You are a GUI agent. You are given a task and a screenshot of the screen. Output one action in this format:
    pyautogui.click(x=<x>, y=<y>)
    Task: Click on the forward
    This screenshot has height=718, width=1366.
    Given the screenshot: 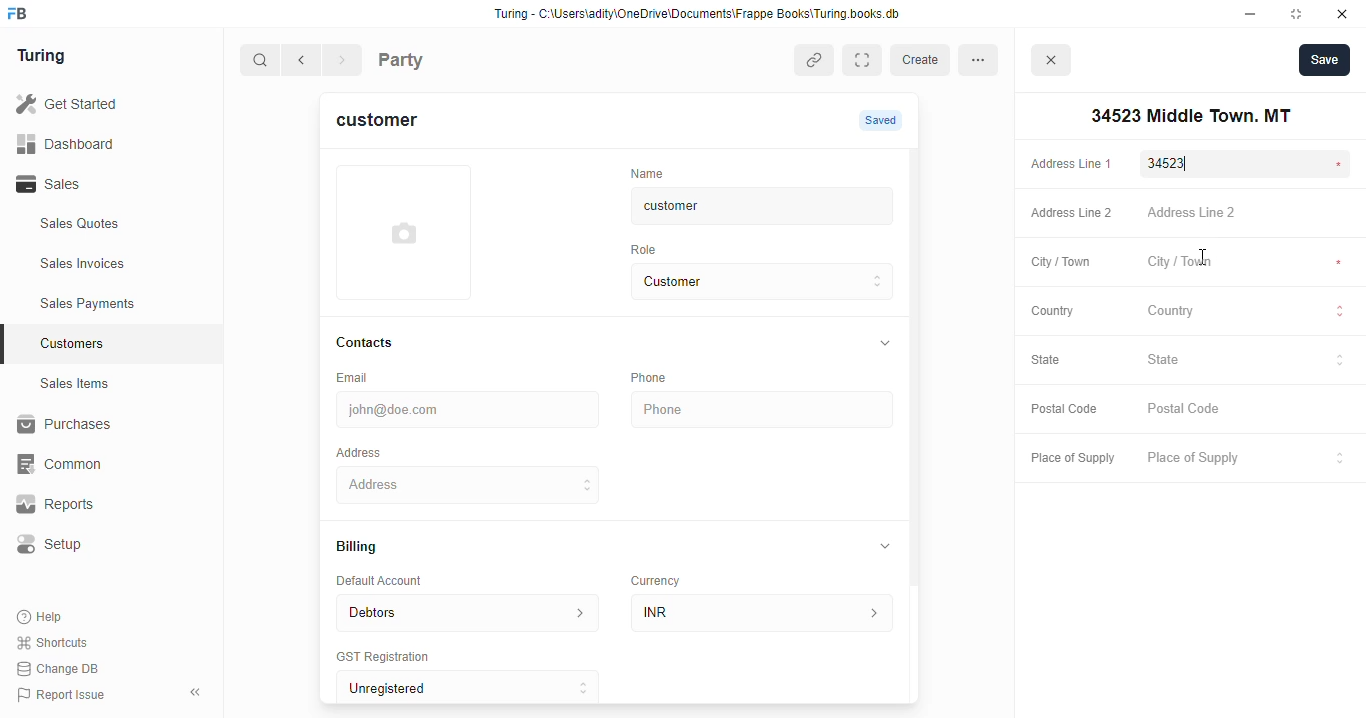 What is the action you would take?
    pyautogui.click(x=344, y=62)
    